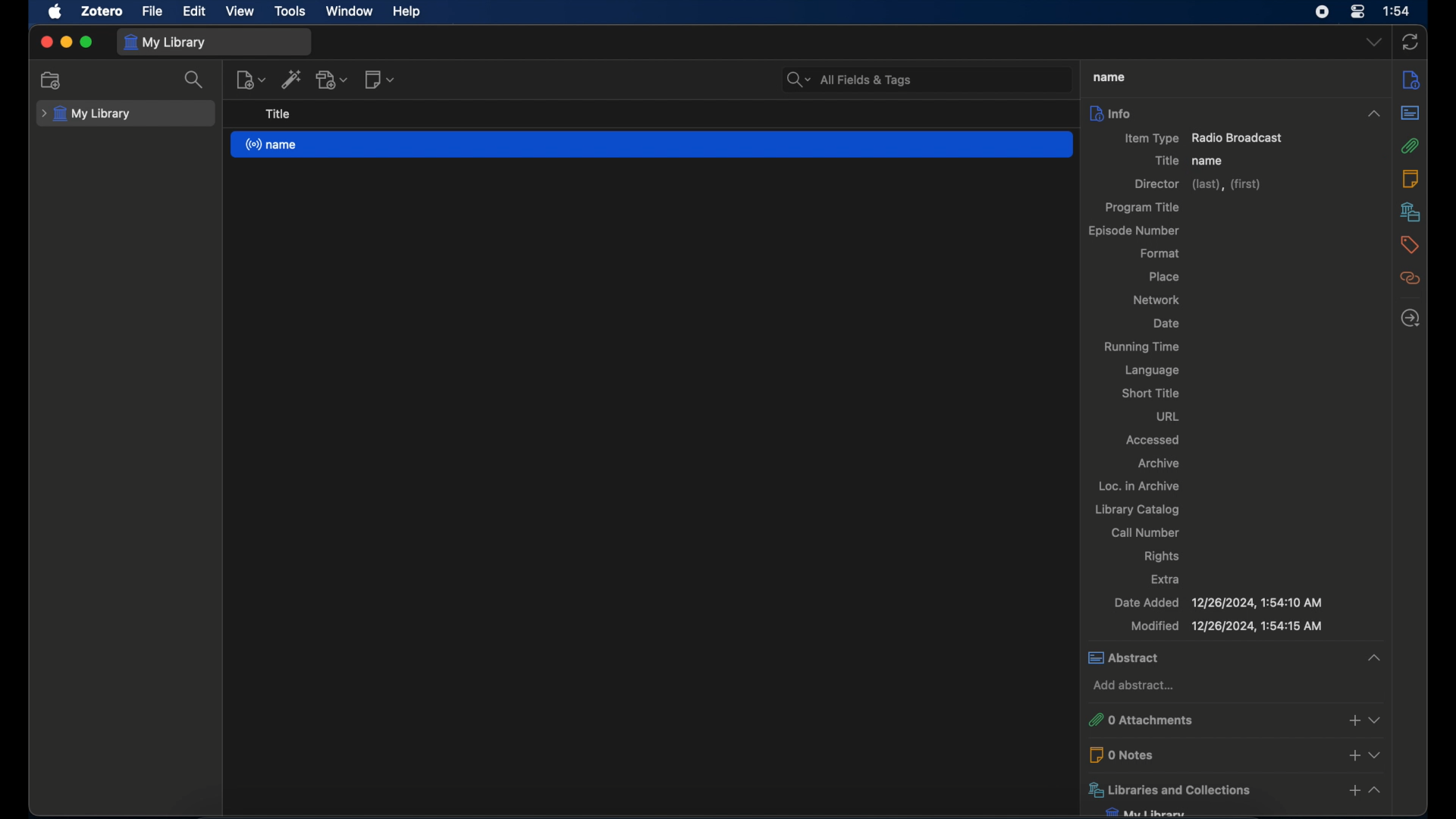  I want to click on help, so click(409, 12).